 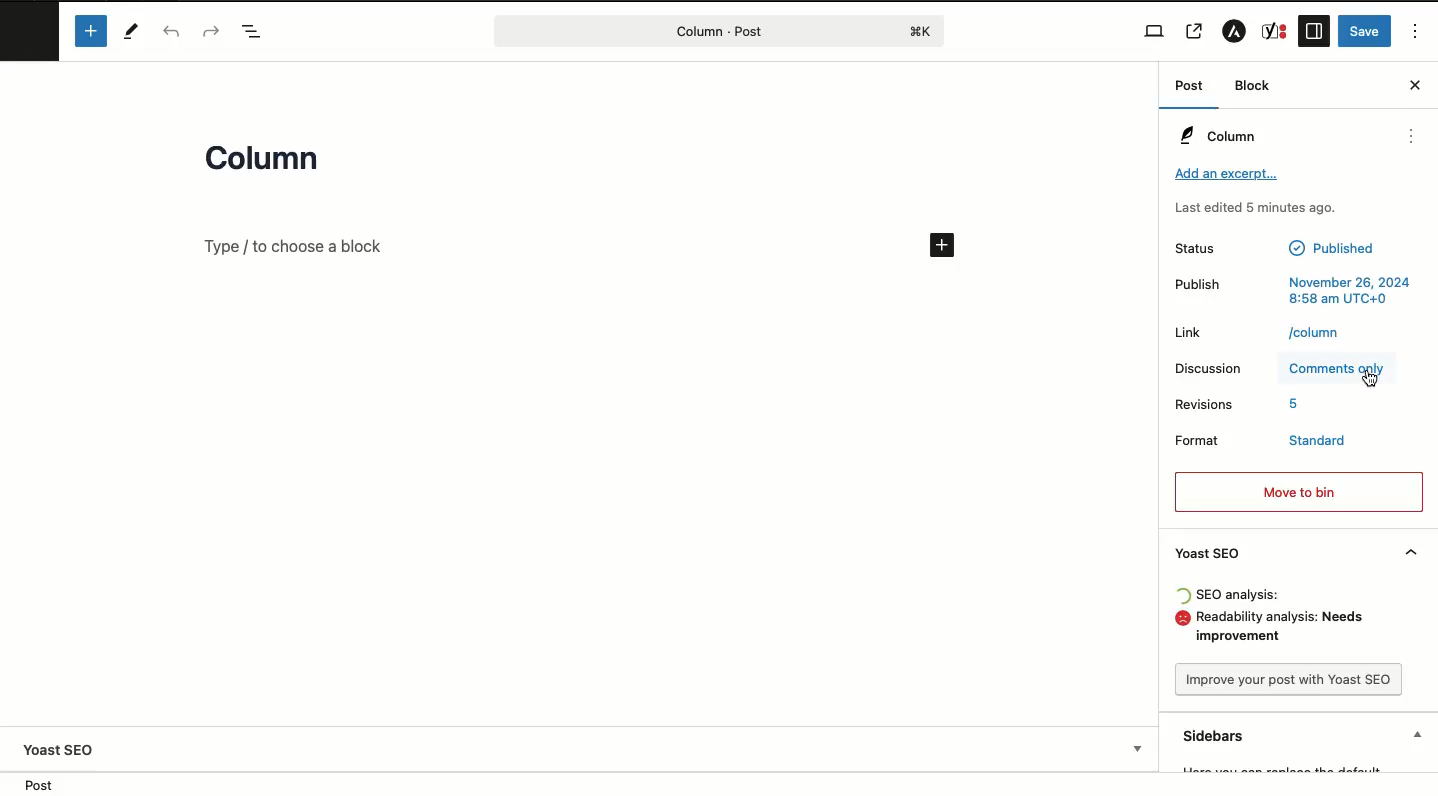 I want to click on text, so click(x=1333, y=248).